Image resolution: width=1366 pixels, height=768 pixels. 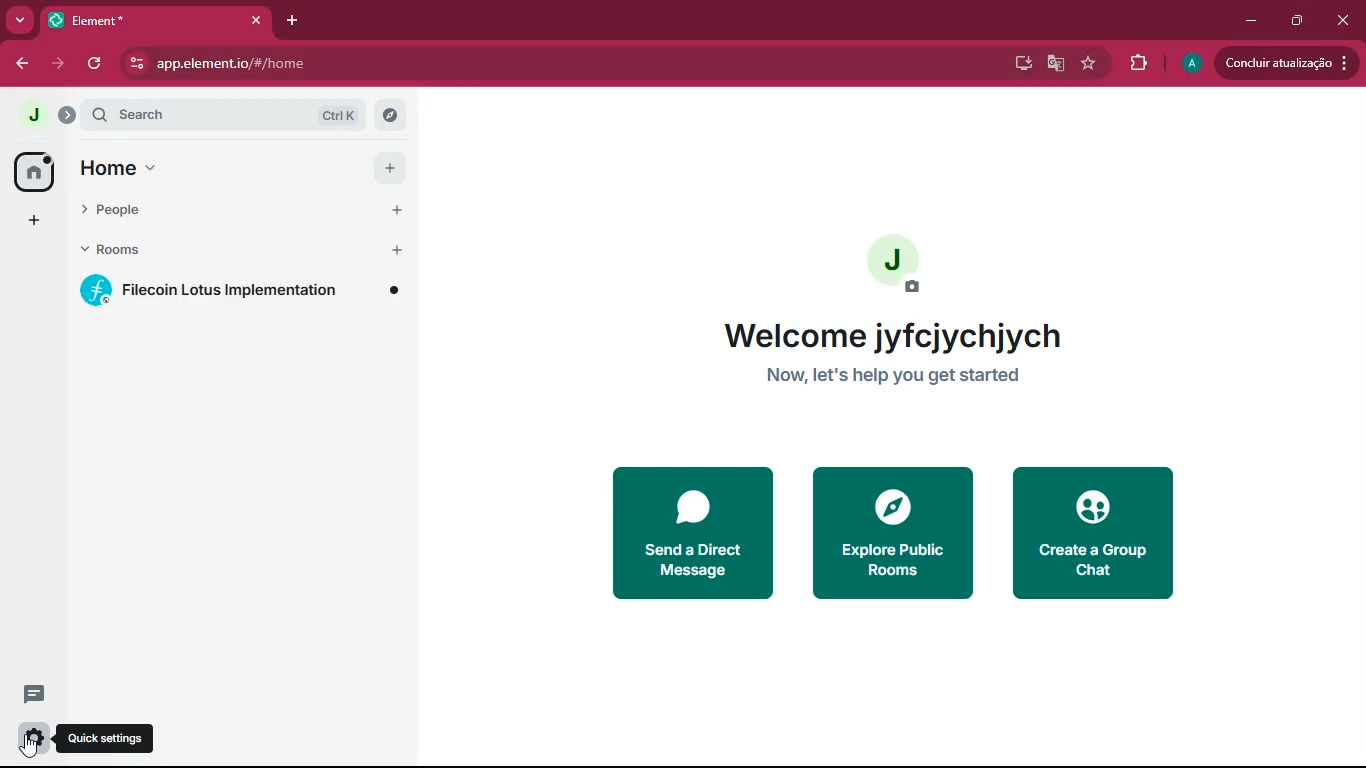 I want to click on threads, so click(x=33, y=694).